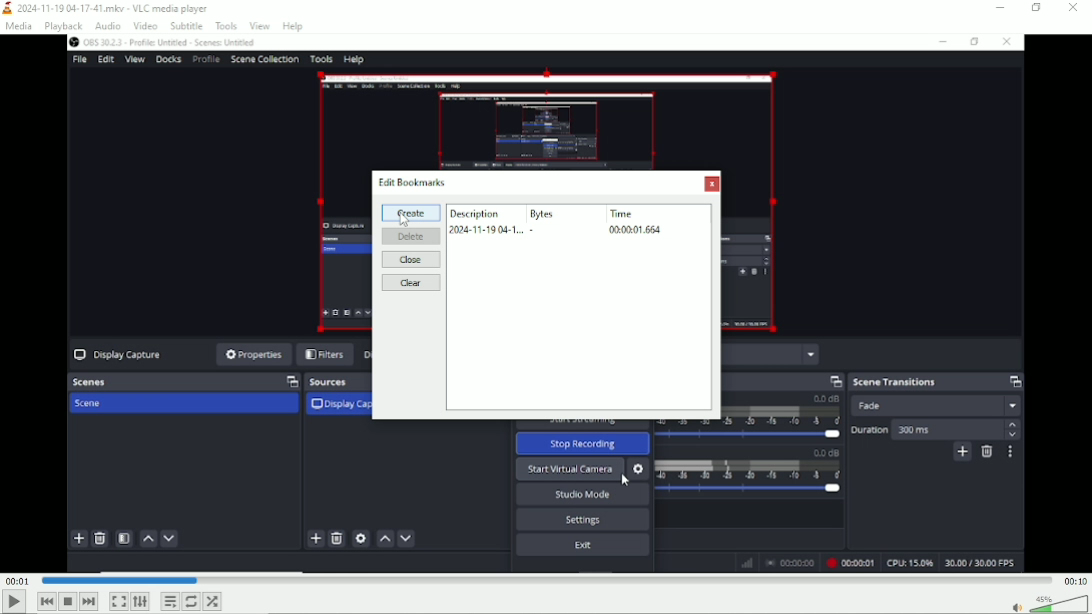  What do you see at coordinates (106, 25) in the screenshot?
I see `Audio` at bounding box center [106, 25].